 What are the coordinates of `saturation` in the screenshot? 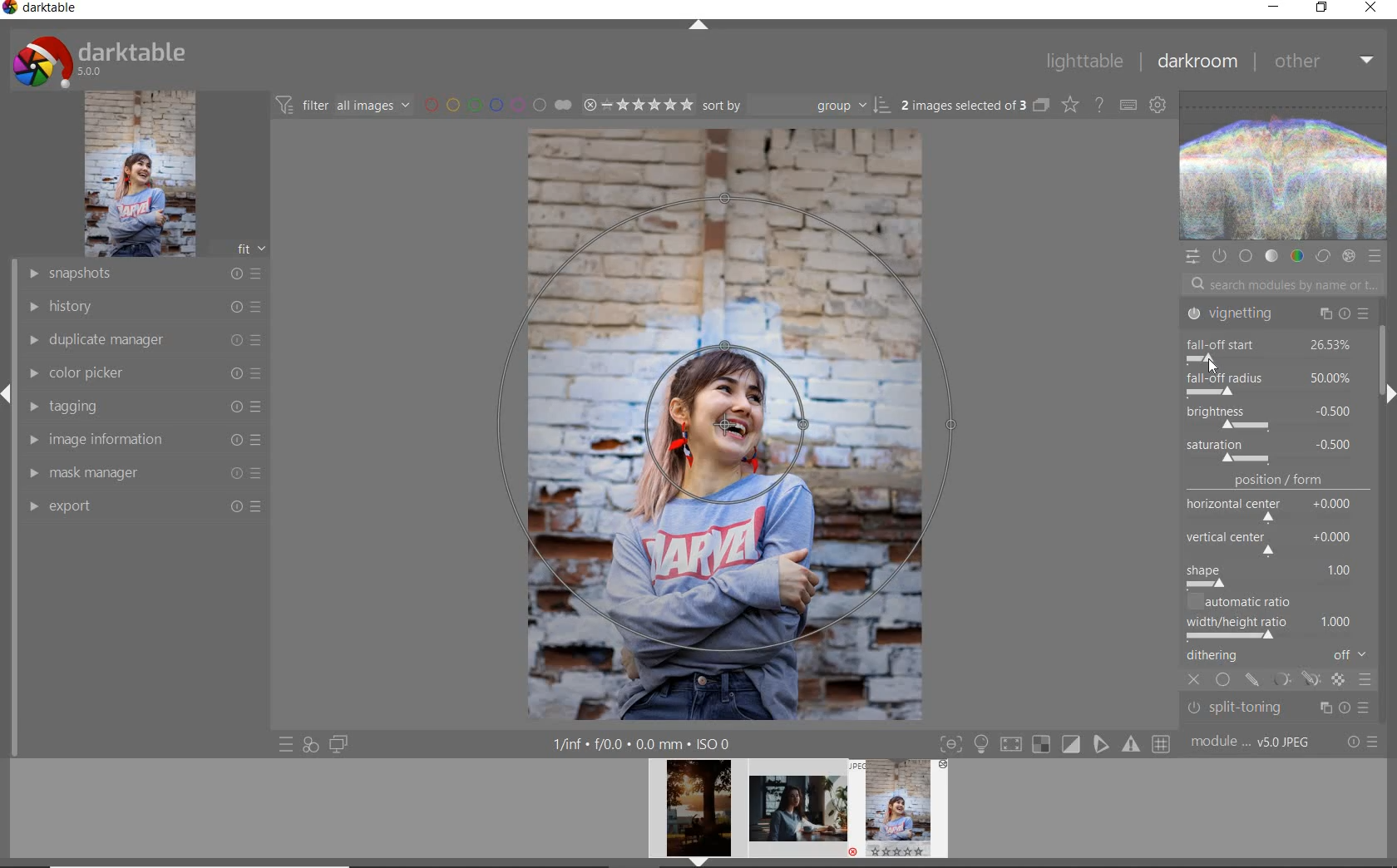 It's located at (1272, 451).